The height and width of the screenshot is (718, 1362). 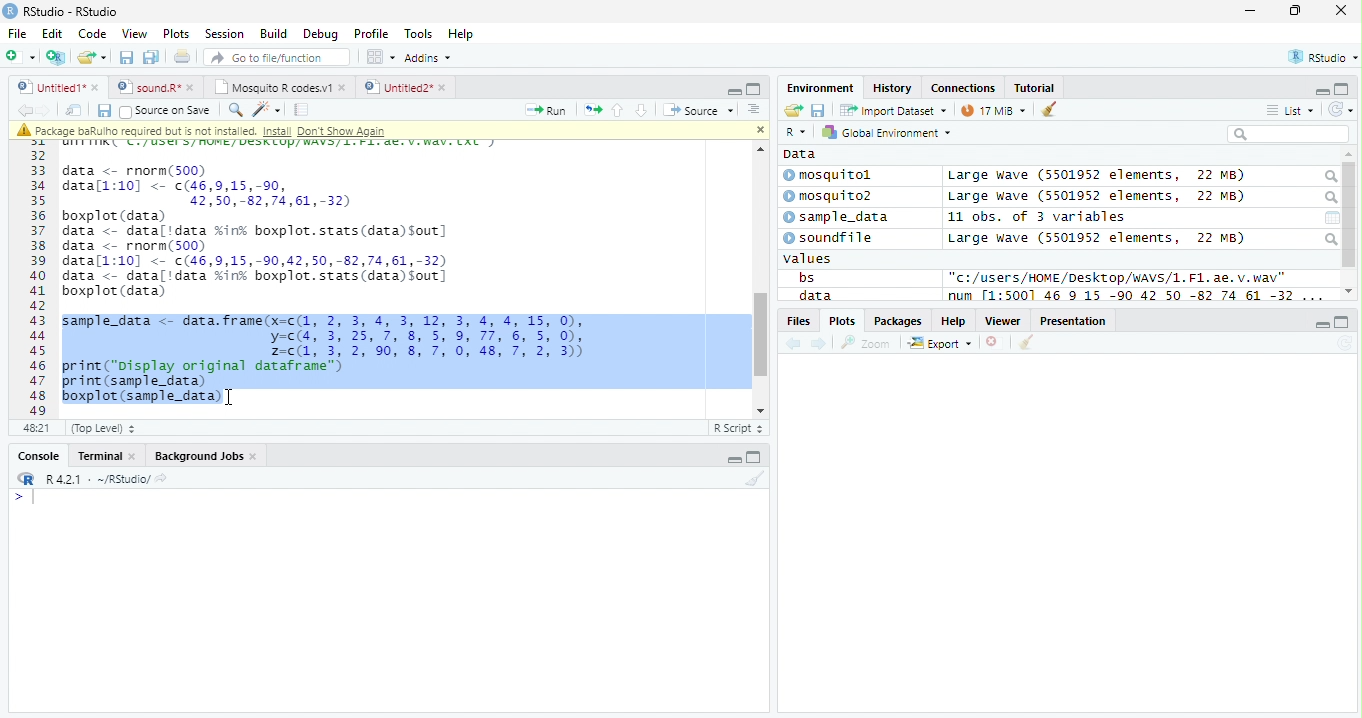 I want to click on typing cursor, so click(x=24, y=498).